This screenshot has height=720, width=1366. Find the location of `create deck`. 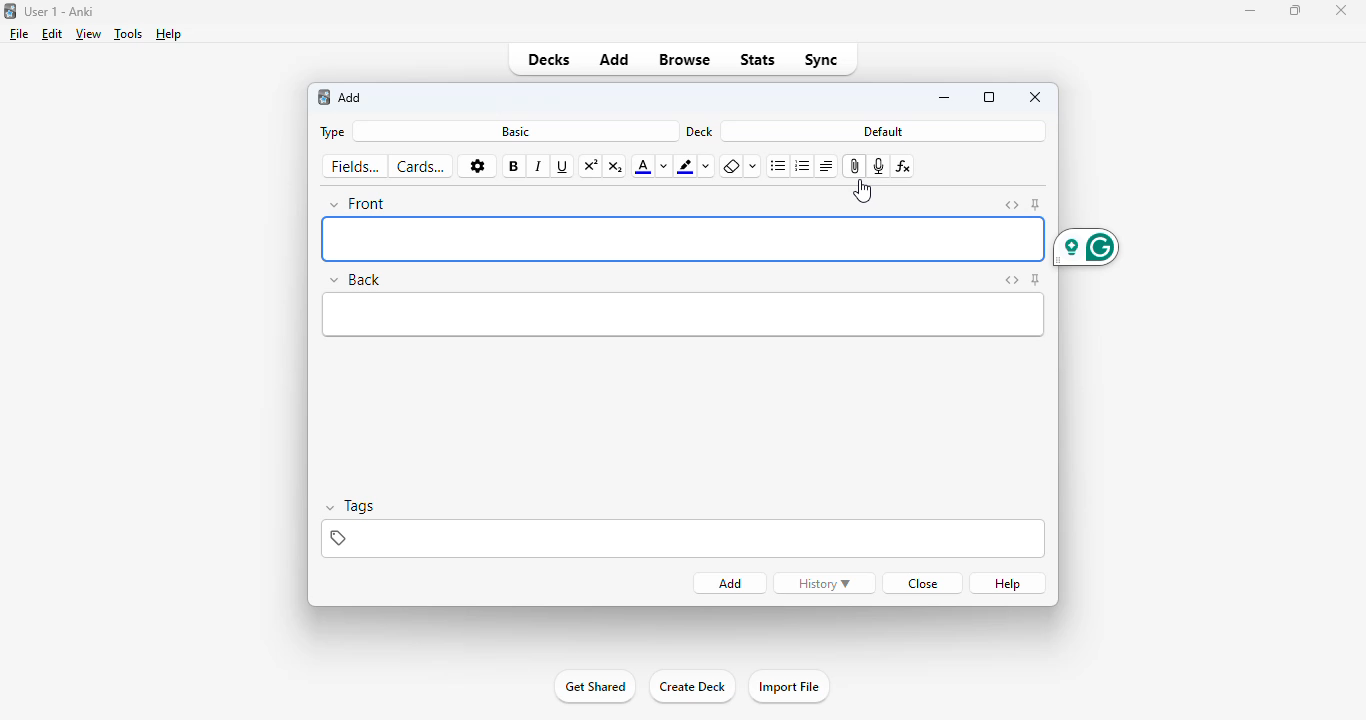

create deck is located at coordinates (691, 687).